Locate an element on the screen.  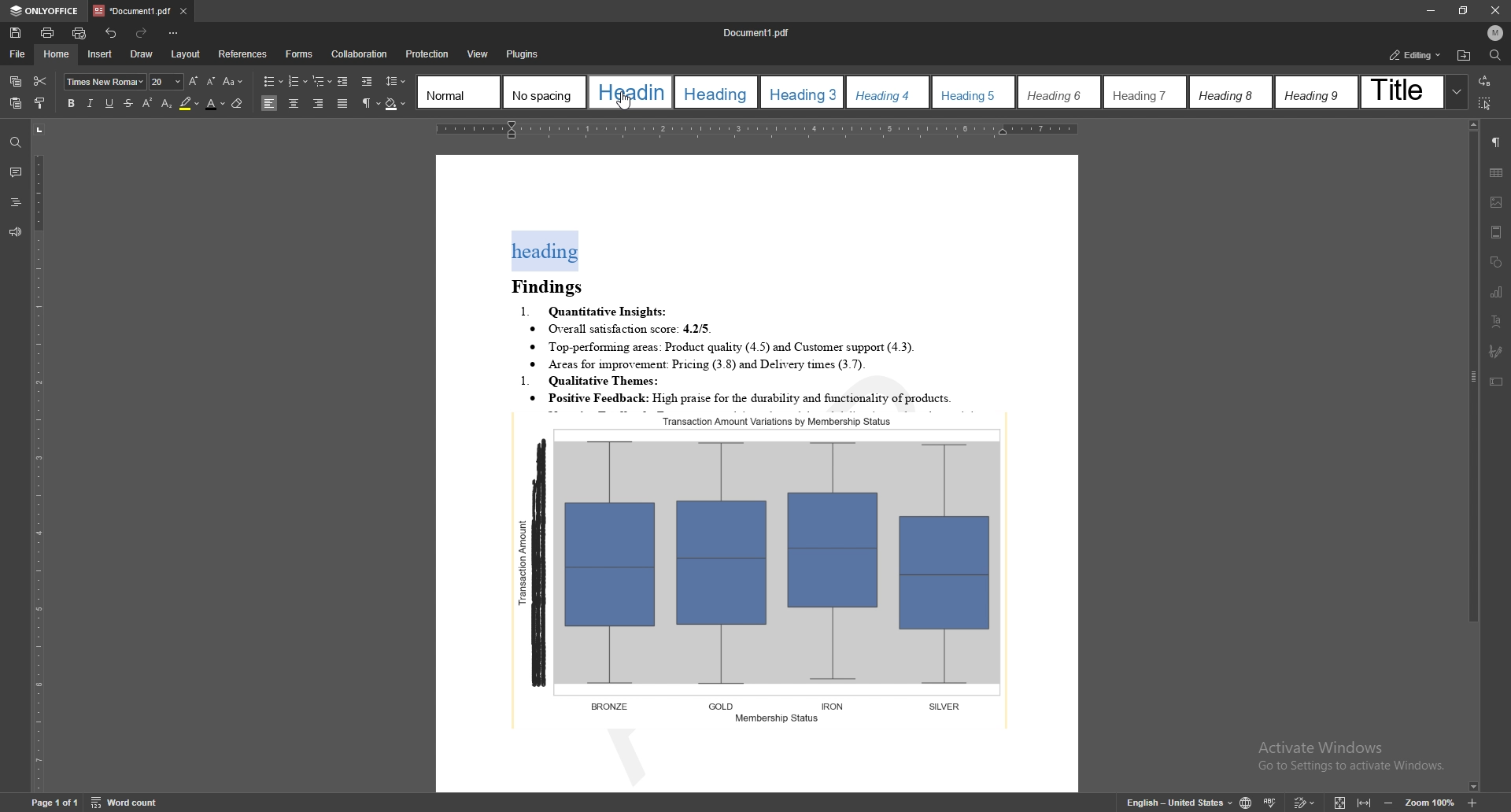
heading styles is located at coordinates (931, 91).